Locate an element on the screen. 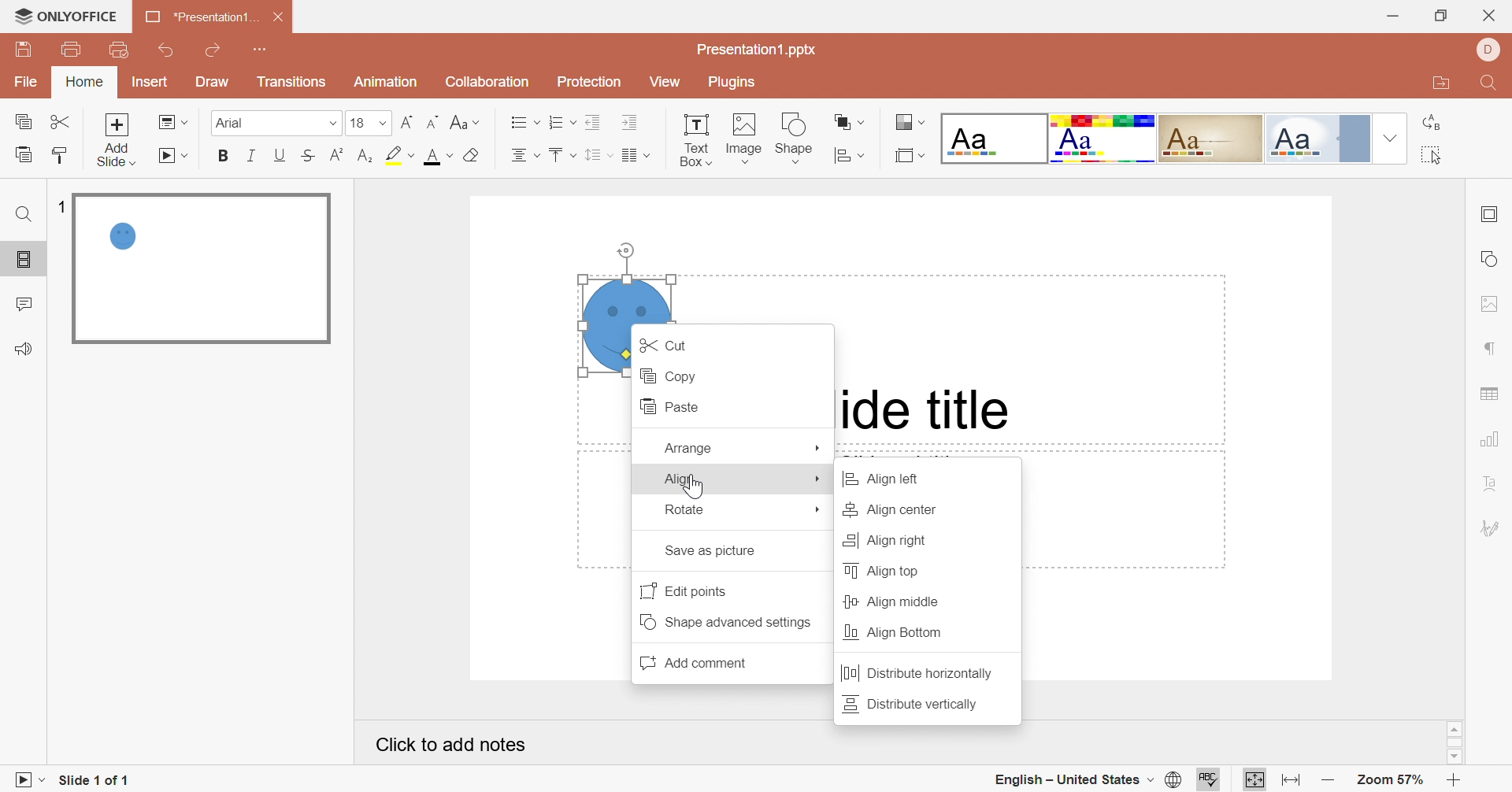 The width and height of the screenshot is (1512, 792). Text Box is located at coordinates (696, 138).